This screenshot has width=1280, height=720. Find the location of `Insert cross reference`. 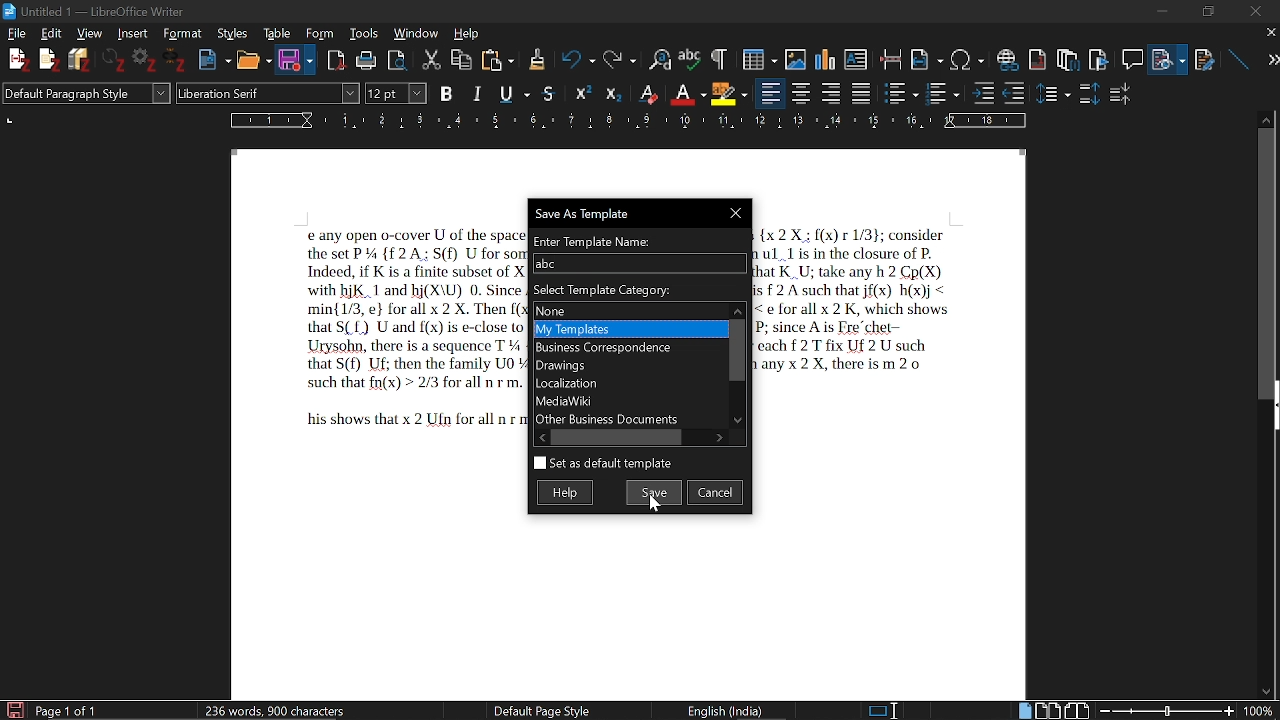

Insert cross reference is located at coordinates (1205, 55).